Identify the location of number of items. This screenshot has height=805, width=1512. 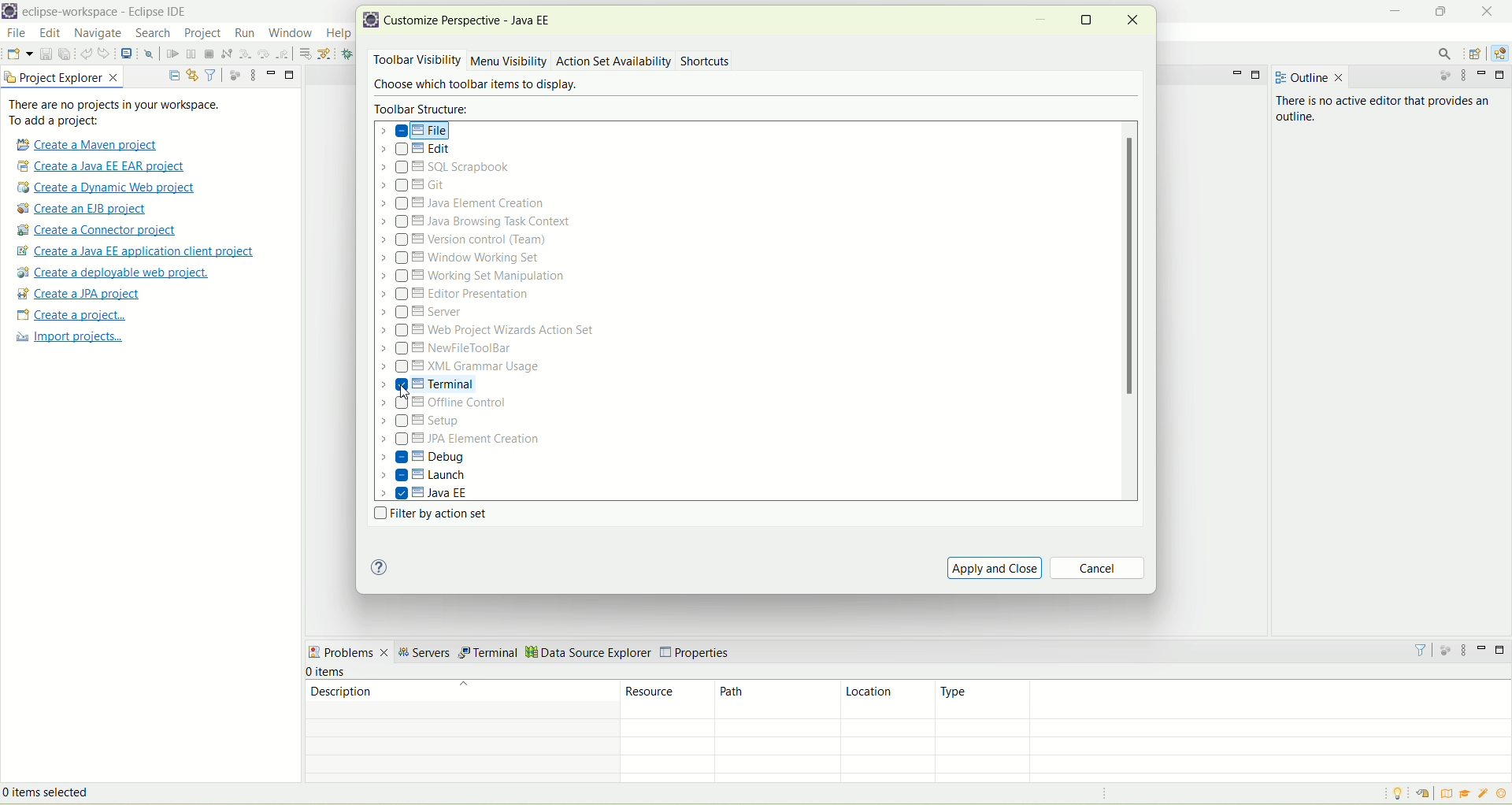
(339, 672).